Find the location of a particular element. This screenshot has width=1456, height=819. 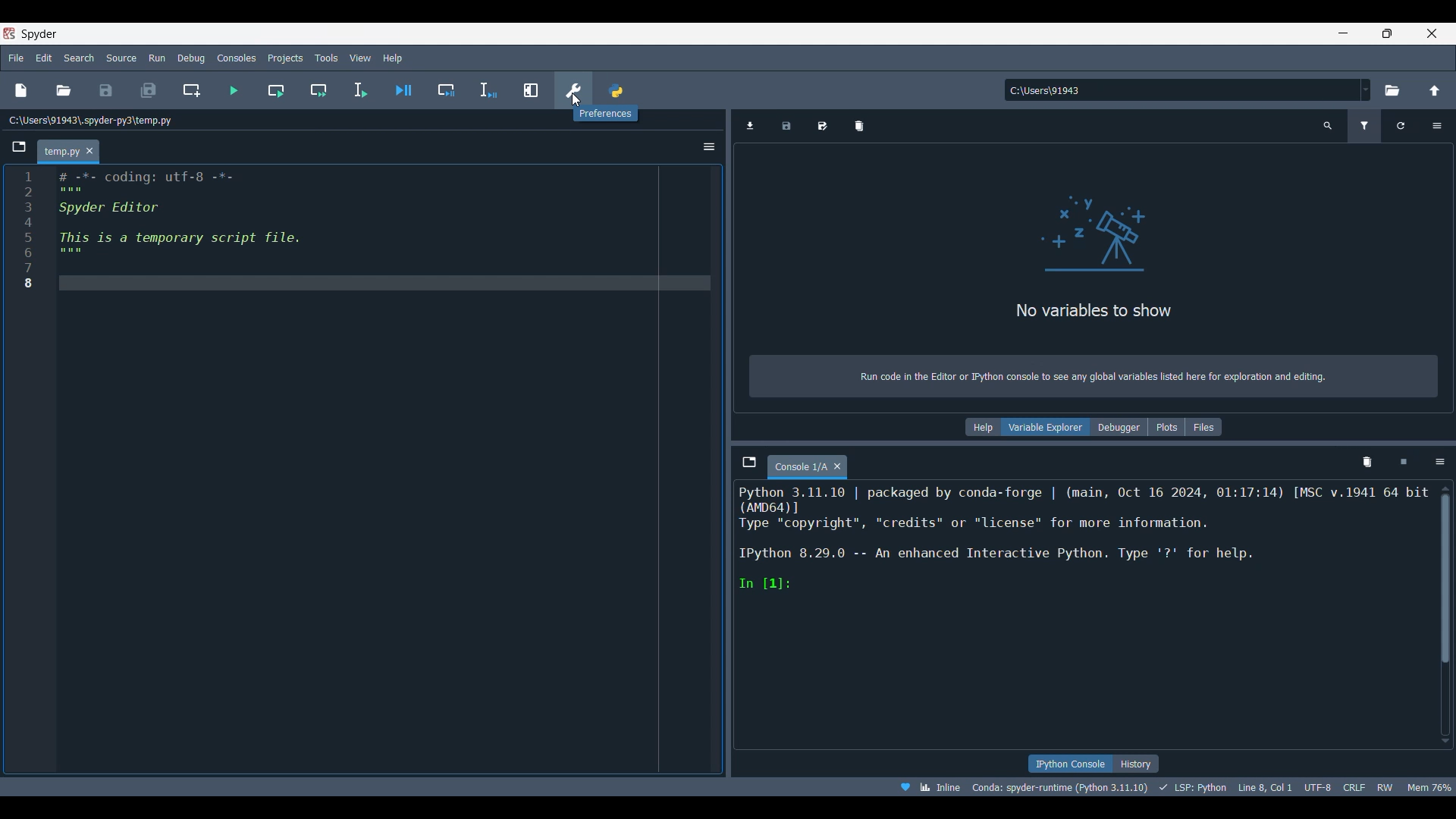

interpreter is located at coordinates (1057, 787).